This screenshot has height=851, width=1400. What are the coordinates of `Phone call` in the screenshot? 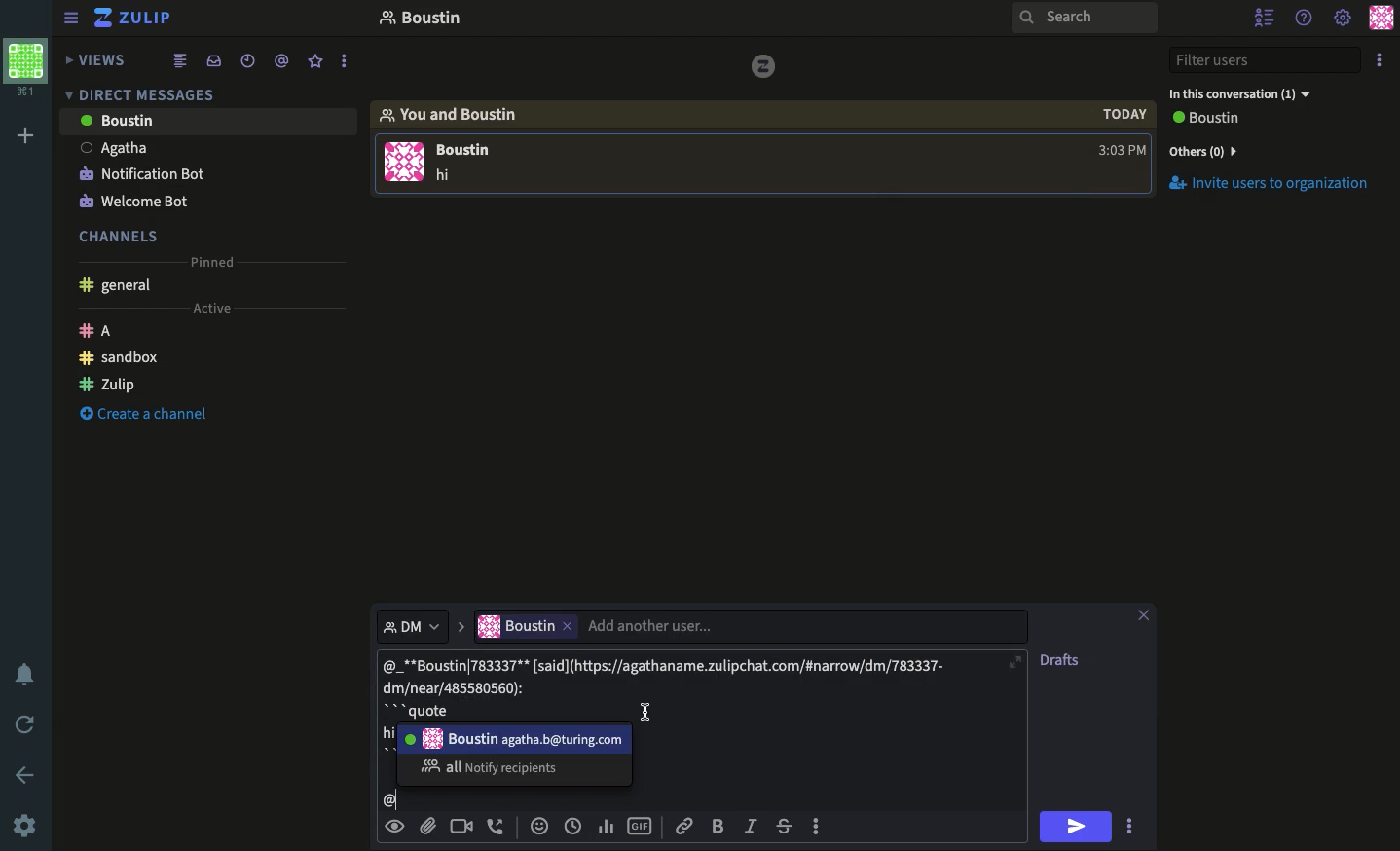 It's located at (500, 827).